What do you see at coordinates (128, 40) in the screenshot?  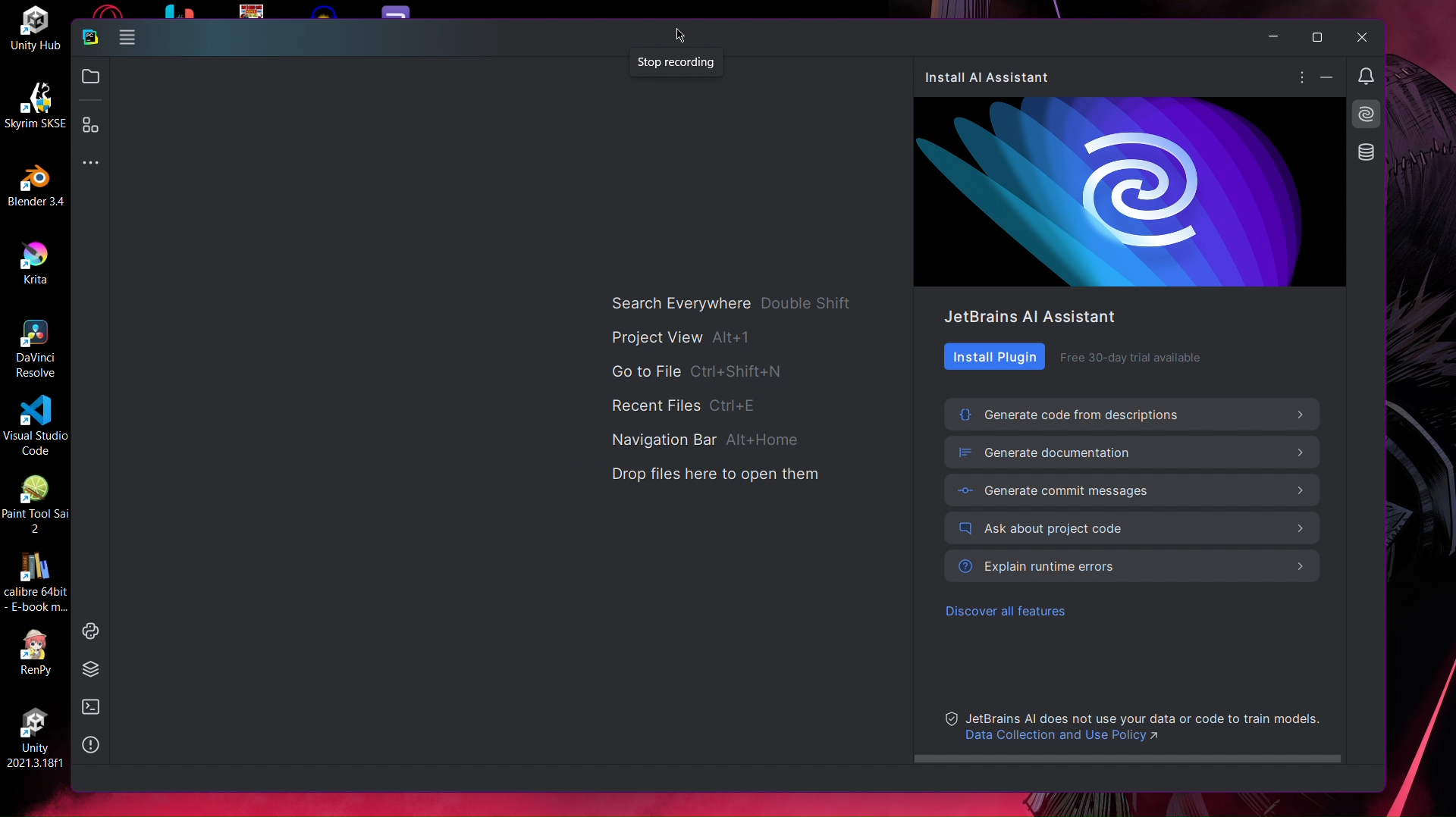 I see `Menu` at bounding box center [128, 40].